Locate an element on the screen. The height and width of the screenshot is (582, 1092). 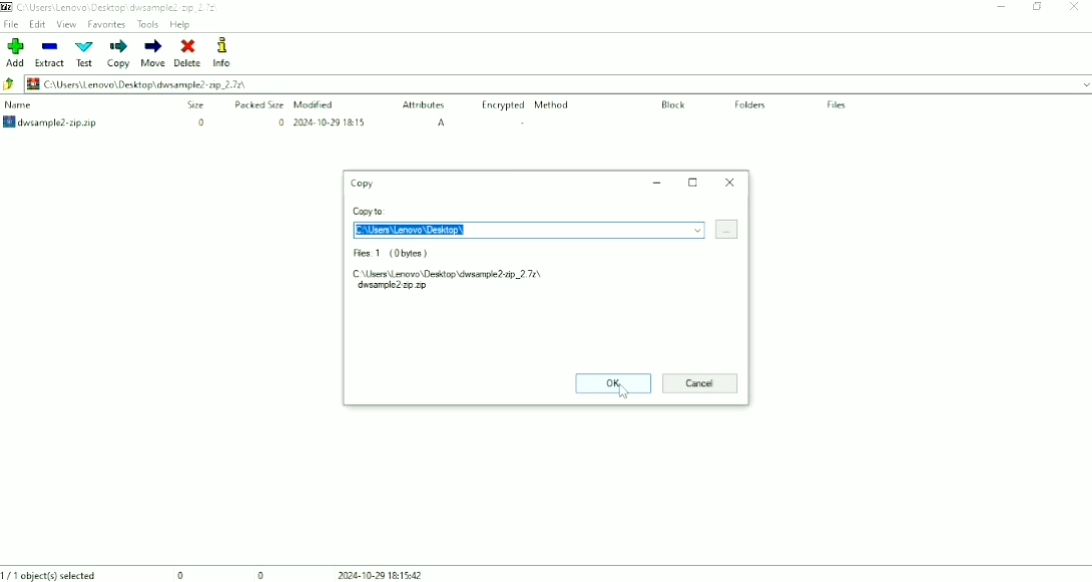
2024-10-29 18:15:42 is located at coordinates (389, 575).